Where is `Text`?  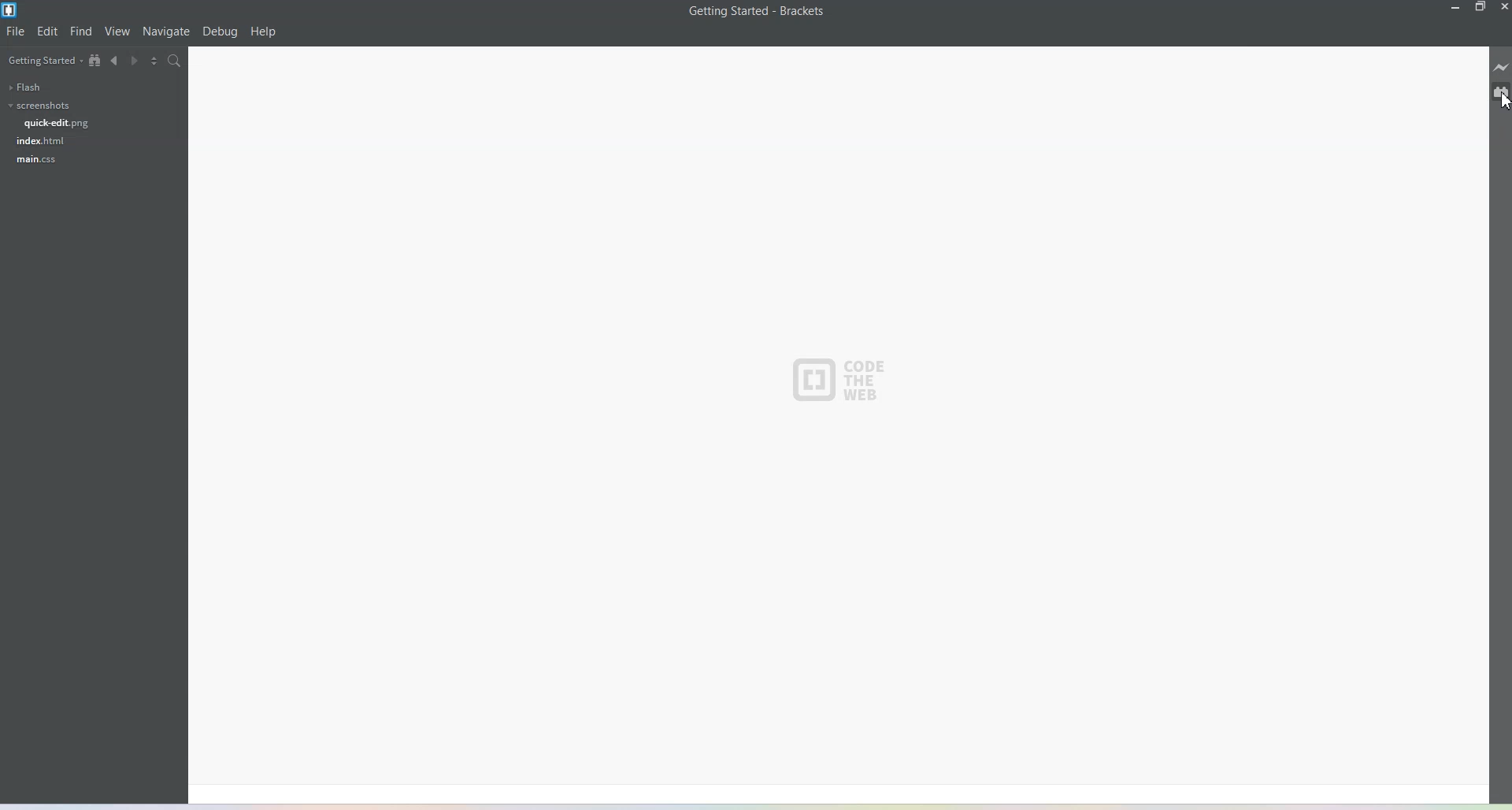 Text is located at coordinates (758, 11).